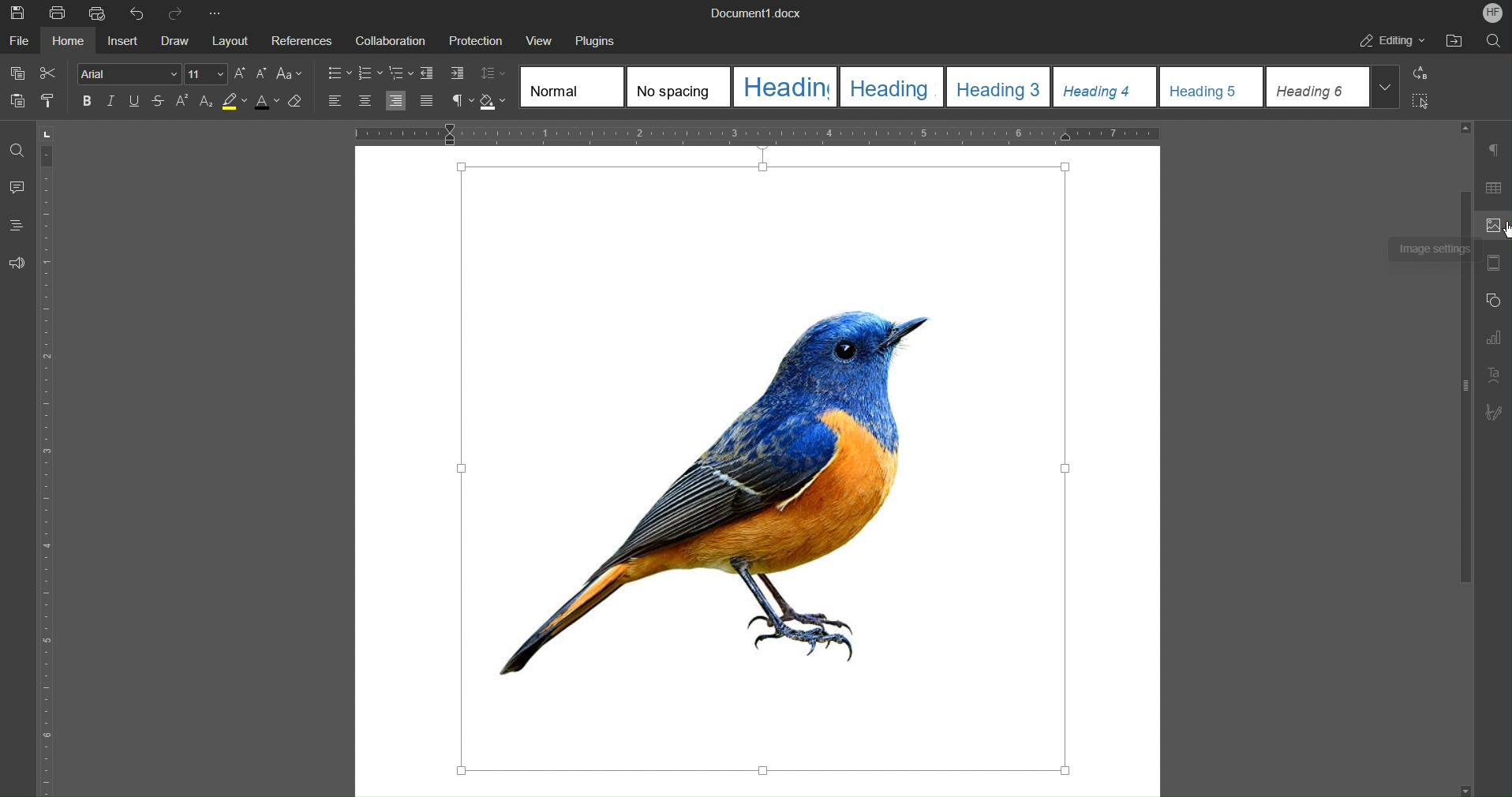 This screenshot has width=1512, height=797. I want to click on Text Art, so click(1493, 374).